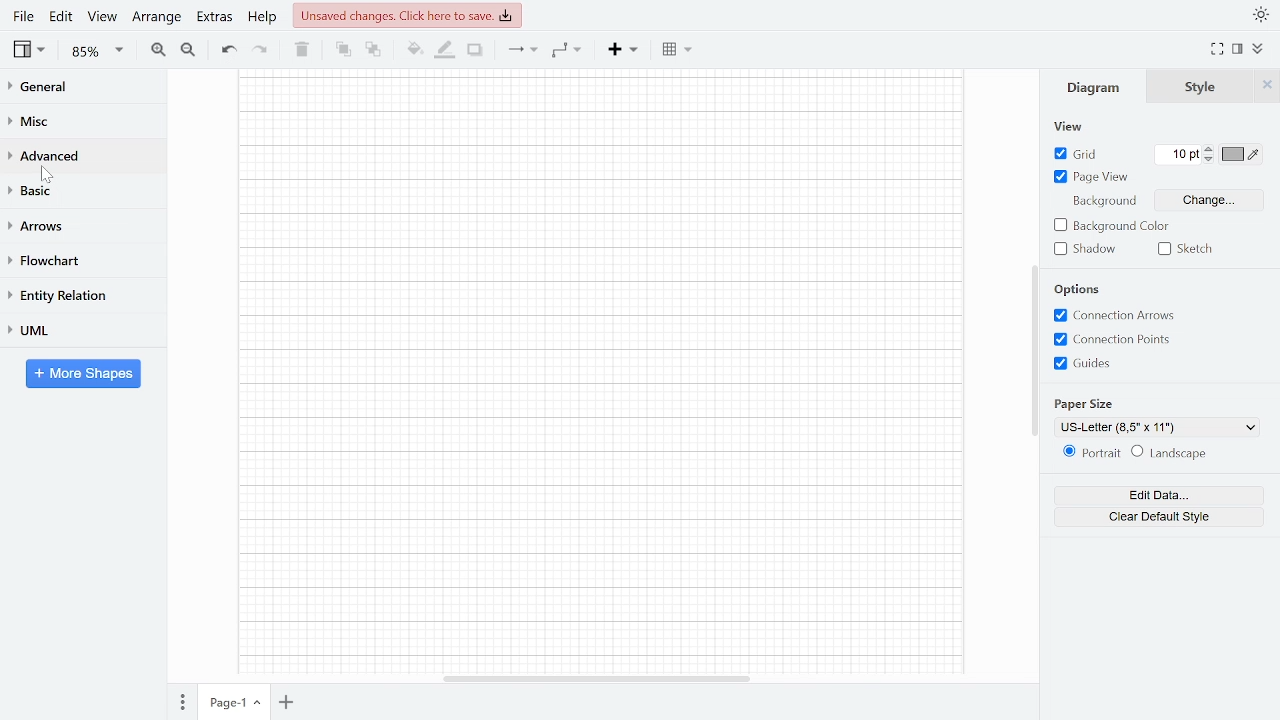 The image size is (1280, 720). Describe the element at coordinates (82, 122) in the screenshot. I see `Misc` at that location.